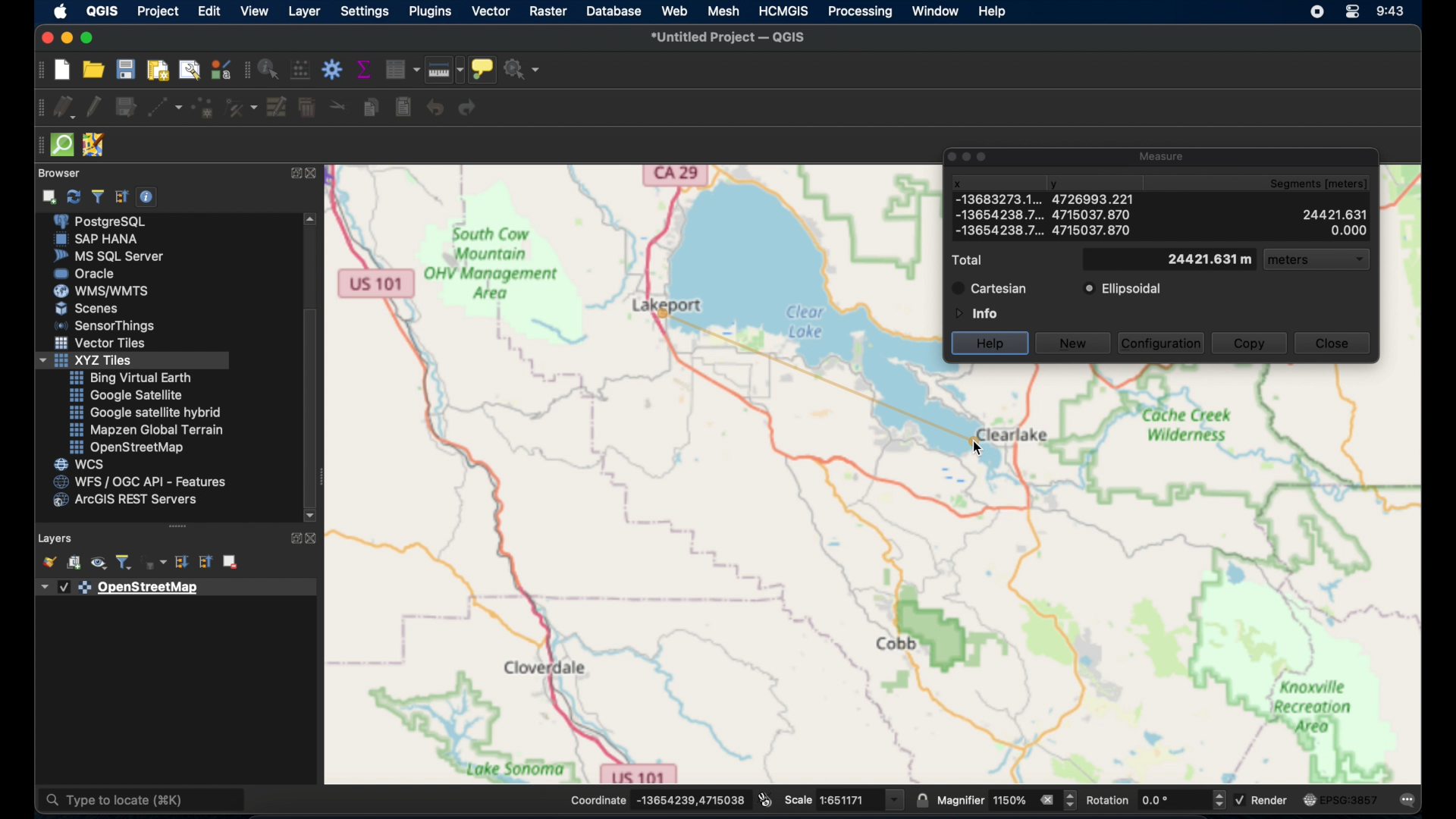  I want to click on web, so click(674, 11).